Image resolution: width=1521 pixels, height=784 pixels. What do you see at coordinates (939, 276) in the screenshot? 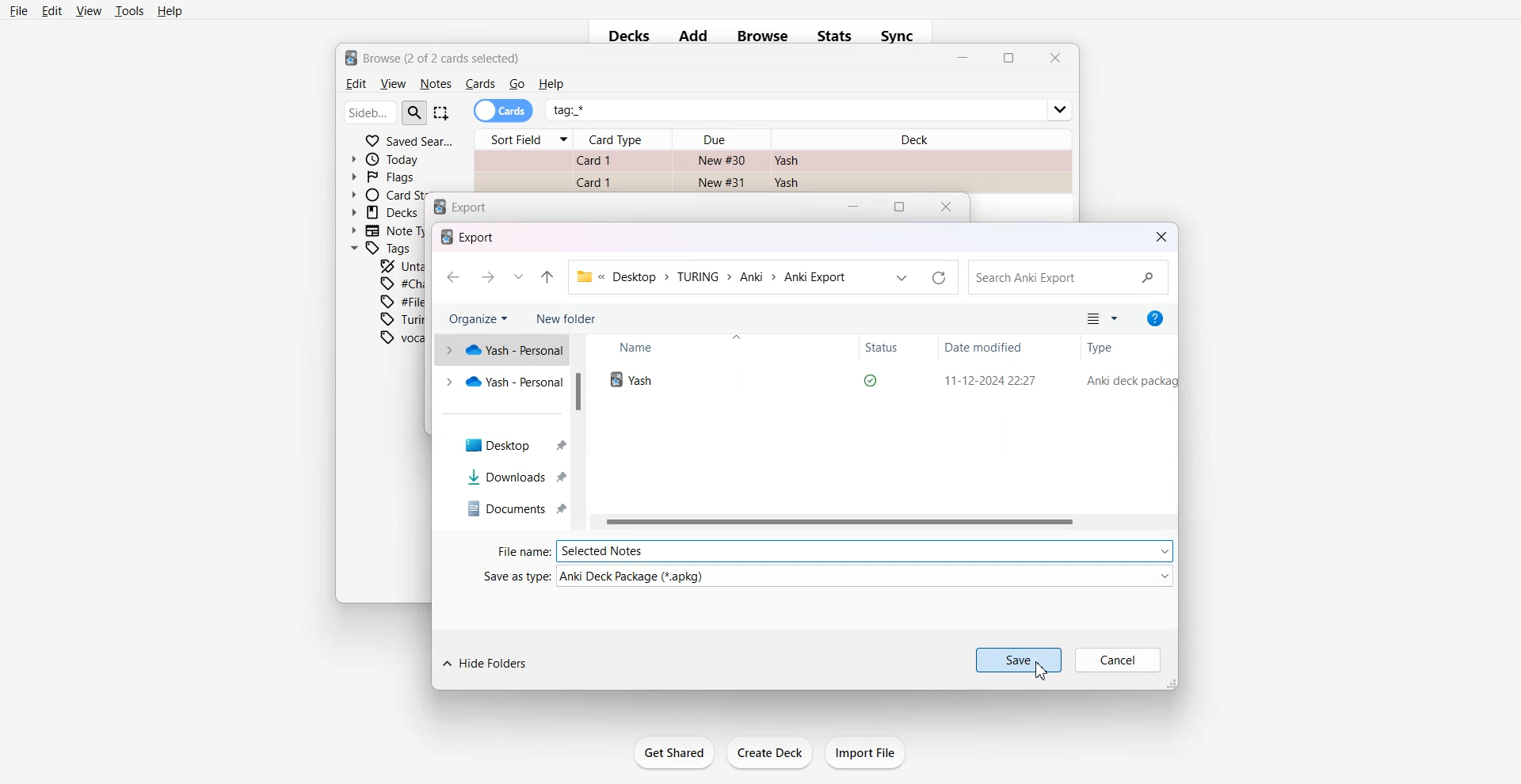
I see `Refresh` at bounding box center [939, 276].